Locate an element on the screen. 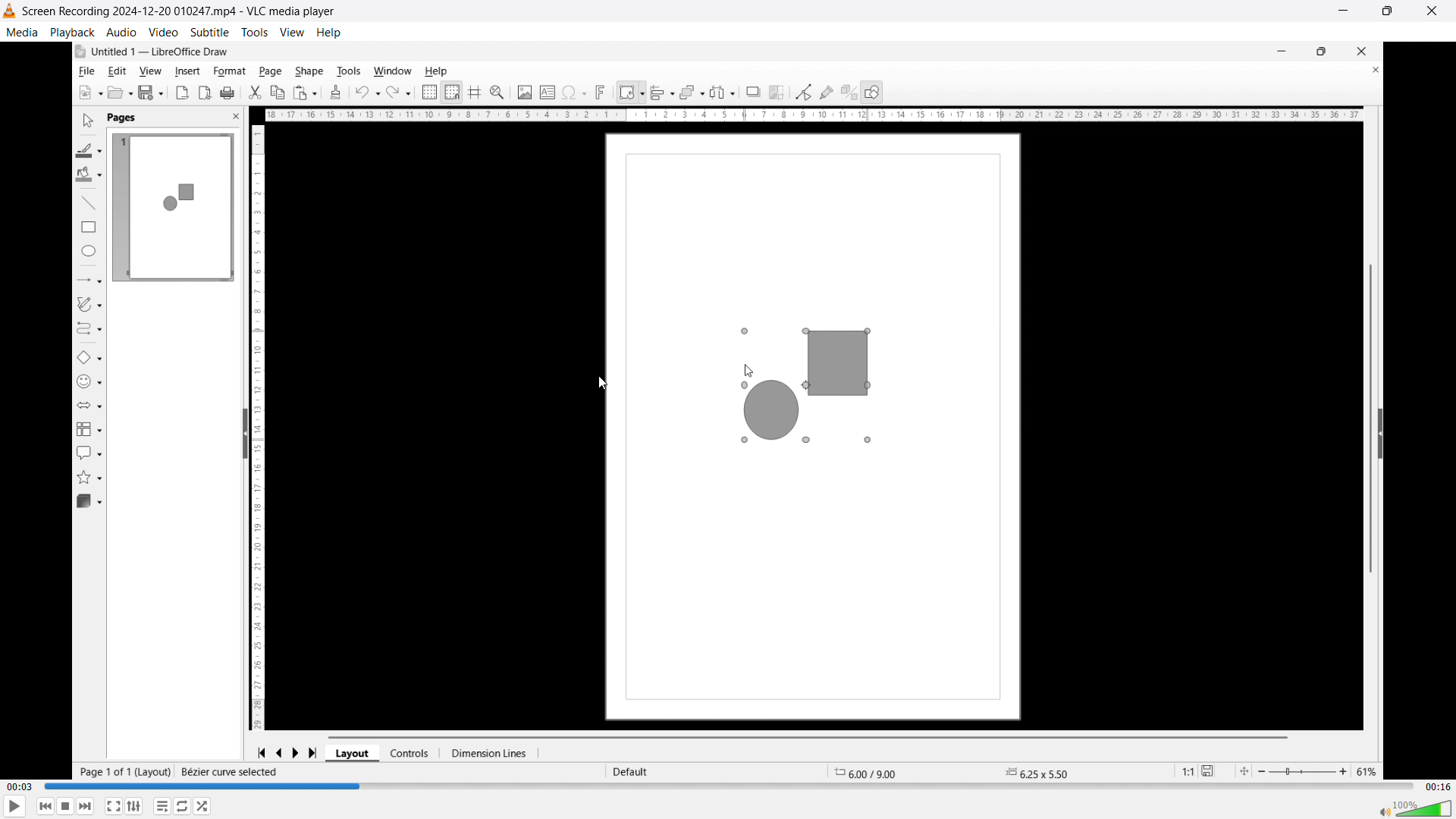 This screenshot has width=1456, height=819. help is located at coordinates (328, 33).